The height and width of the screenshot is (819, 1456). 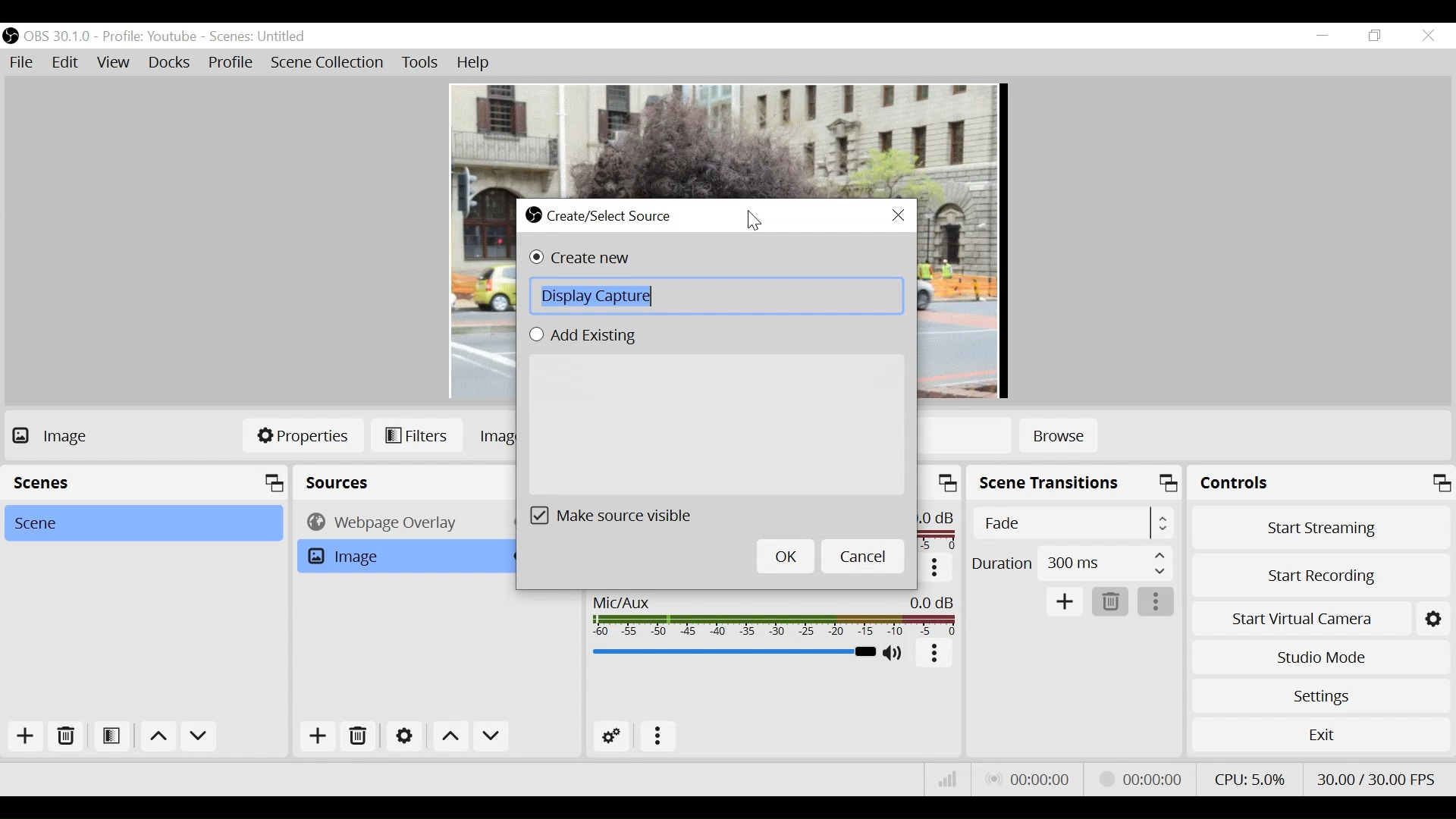 What do you see at coordinates (362, 735) in the screenshot?
I see `Delete` at bounding box center [362, 735].